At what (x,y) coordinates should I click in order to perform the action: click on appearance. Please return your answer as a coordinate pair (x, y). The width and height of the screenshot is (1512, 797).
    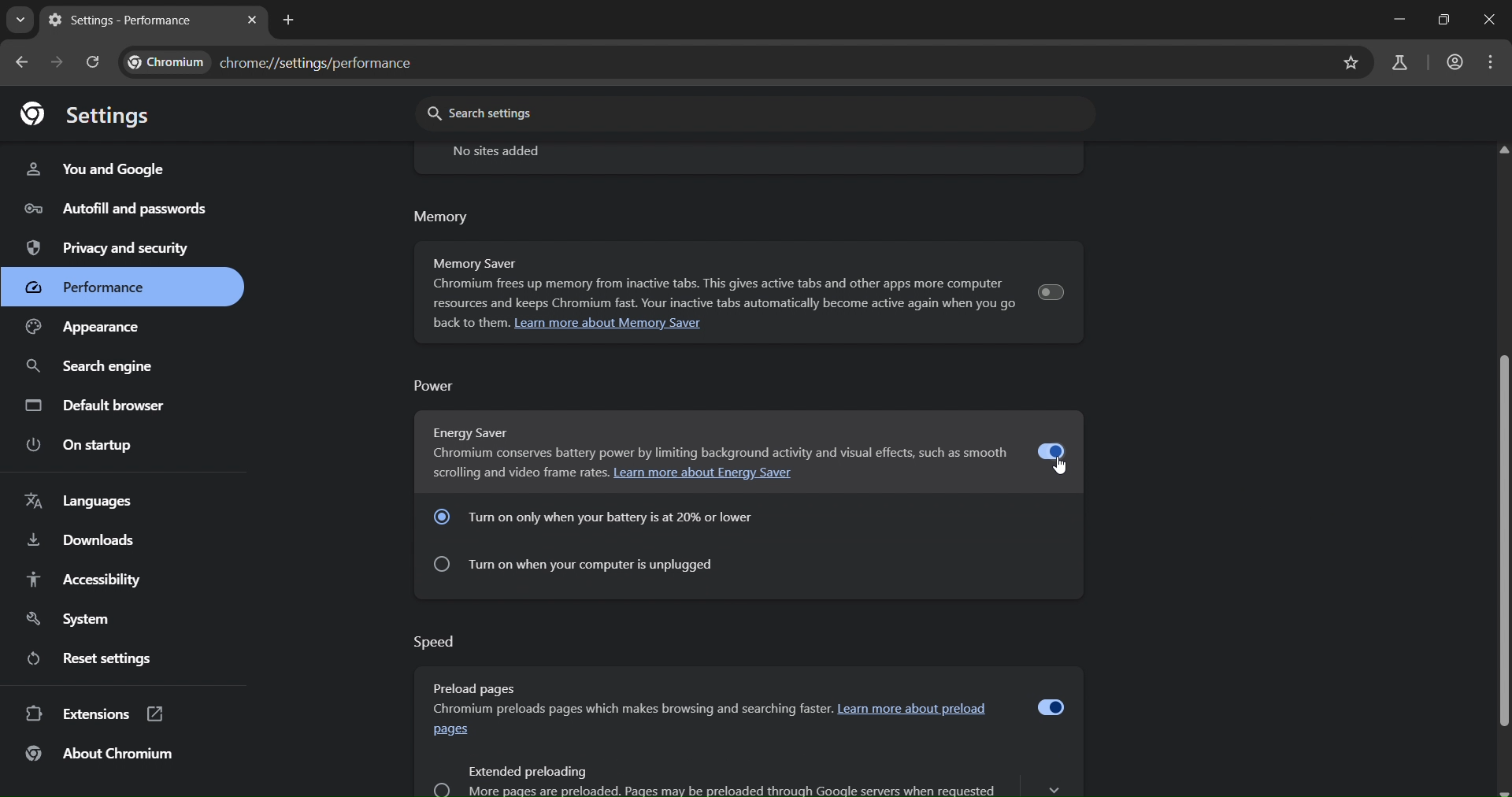
    Looking at the image, I should click on (102, 326).